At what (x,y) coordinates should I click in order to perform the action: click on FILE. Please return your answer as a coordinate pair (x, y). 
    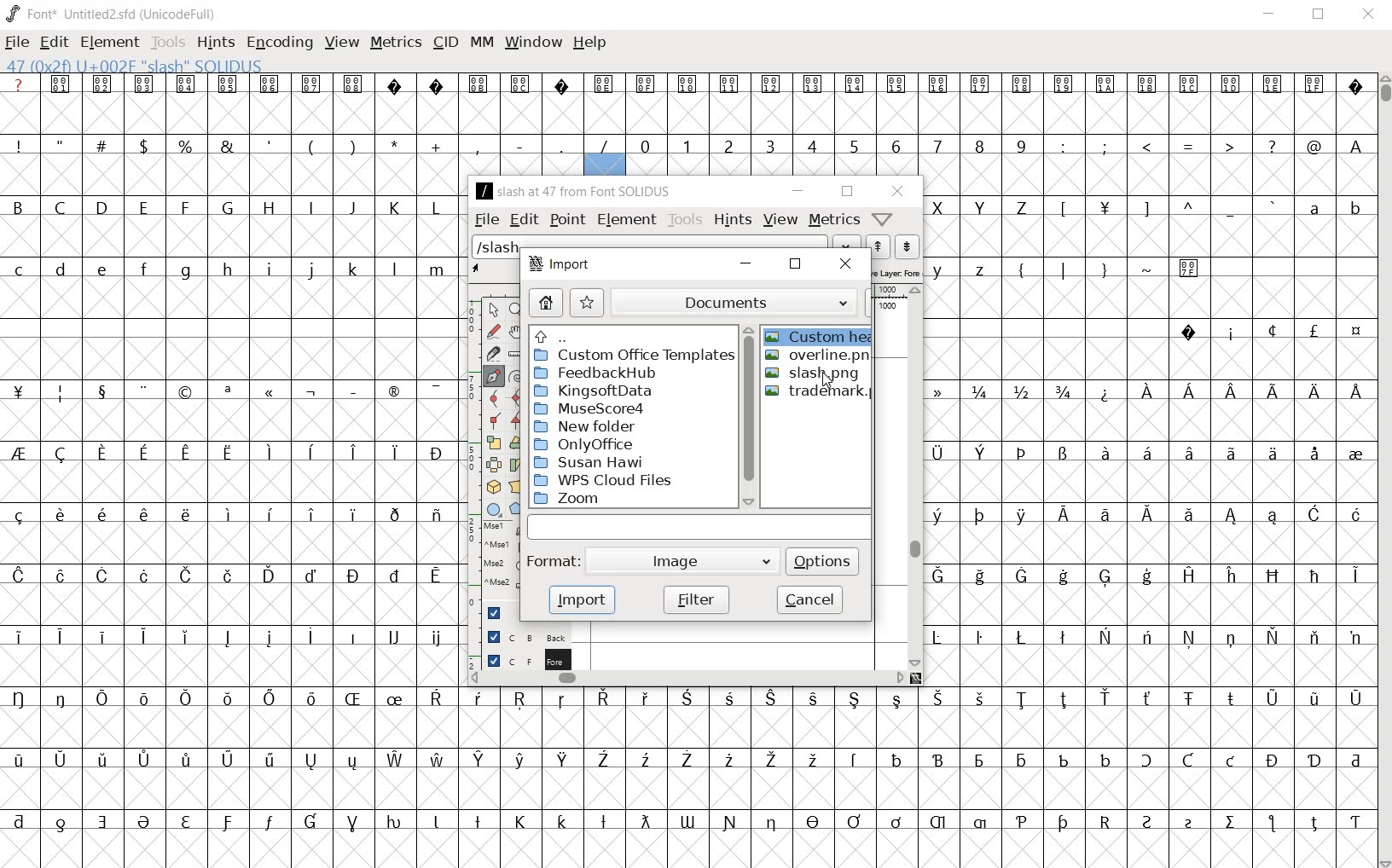
    Looking at the image, I should click on (19, 43).